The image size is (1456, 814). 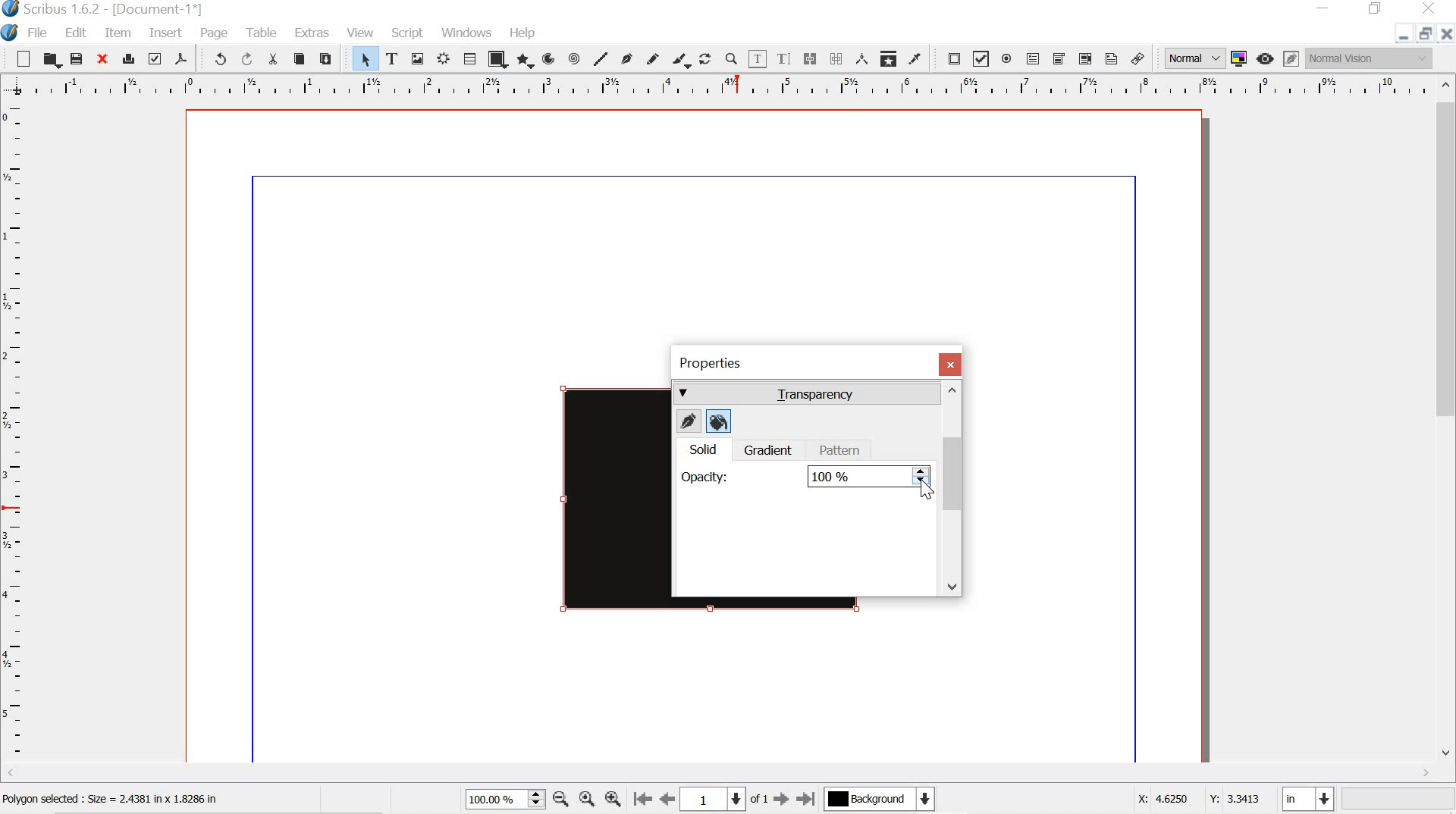 I want to click on select item, so click(x=363, y=58).